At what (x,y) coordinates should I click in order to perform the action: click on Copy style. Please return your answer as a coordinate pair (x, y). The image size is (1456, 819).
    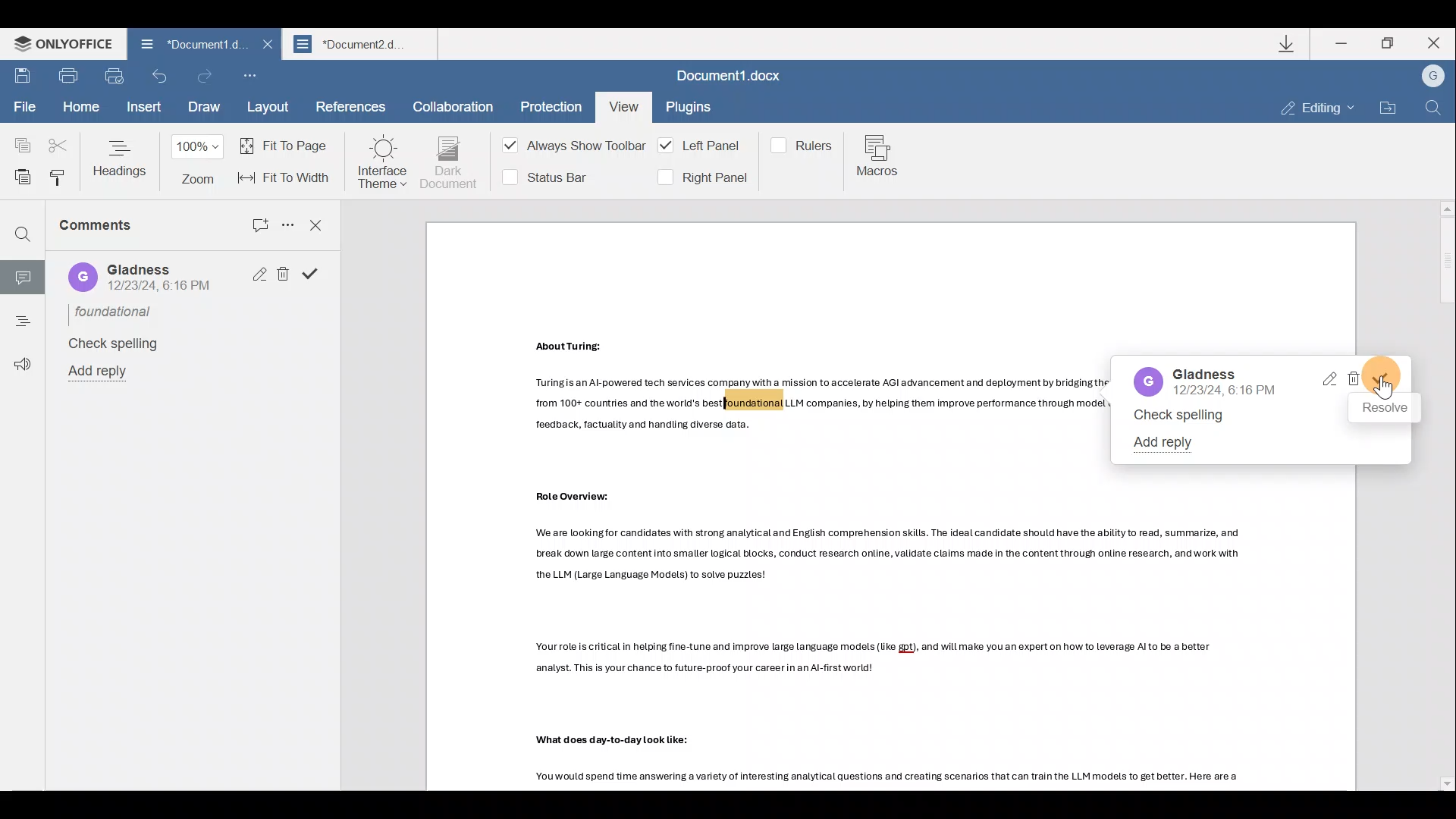
    Looking at the image, I should click on (58, 177).